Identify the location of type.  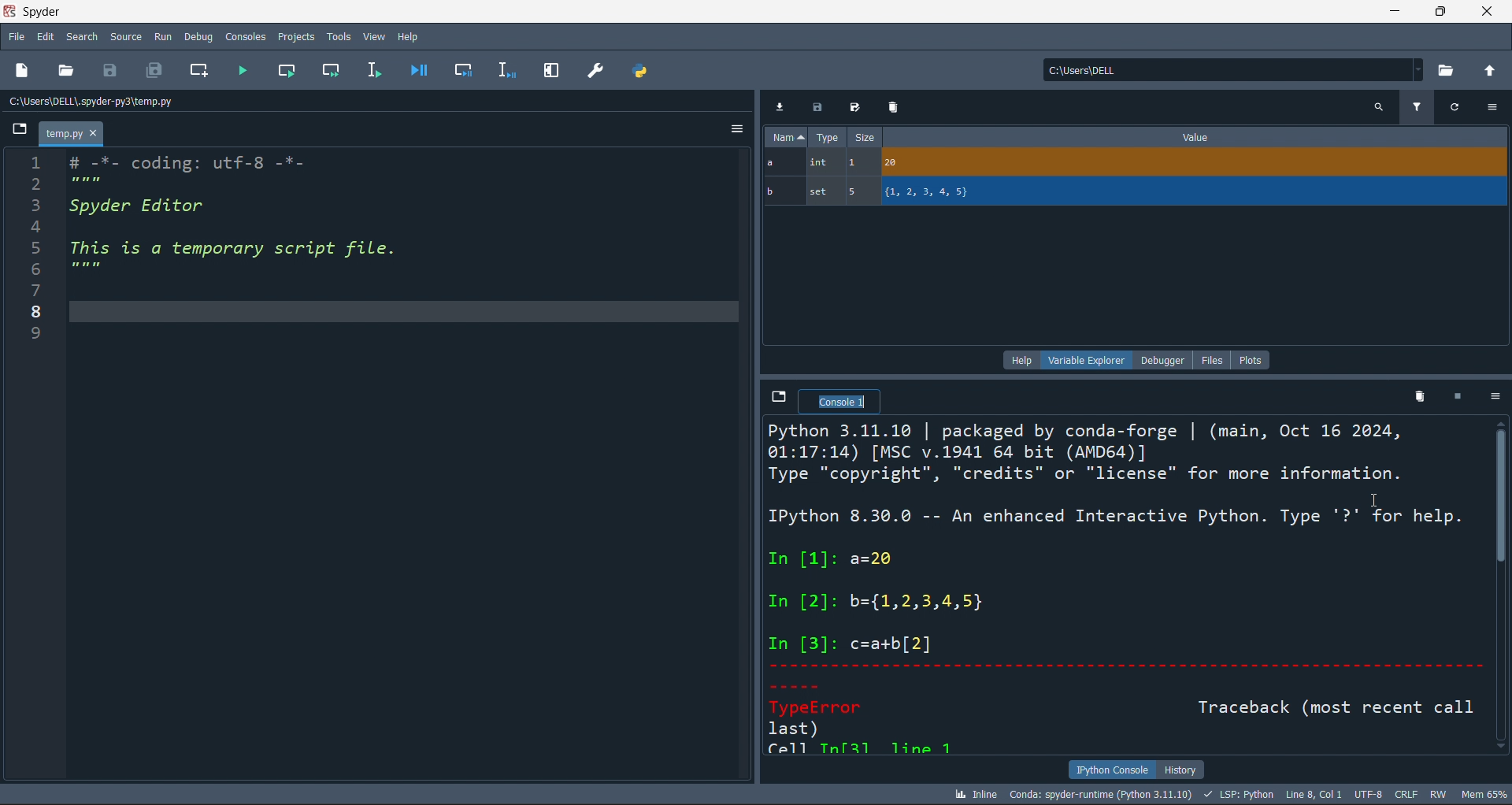
(828, 139).